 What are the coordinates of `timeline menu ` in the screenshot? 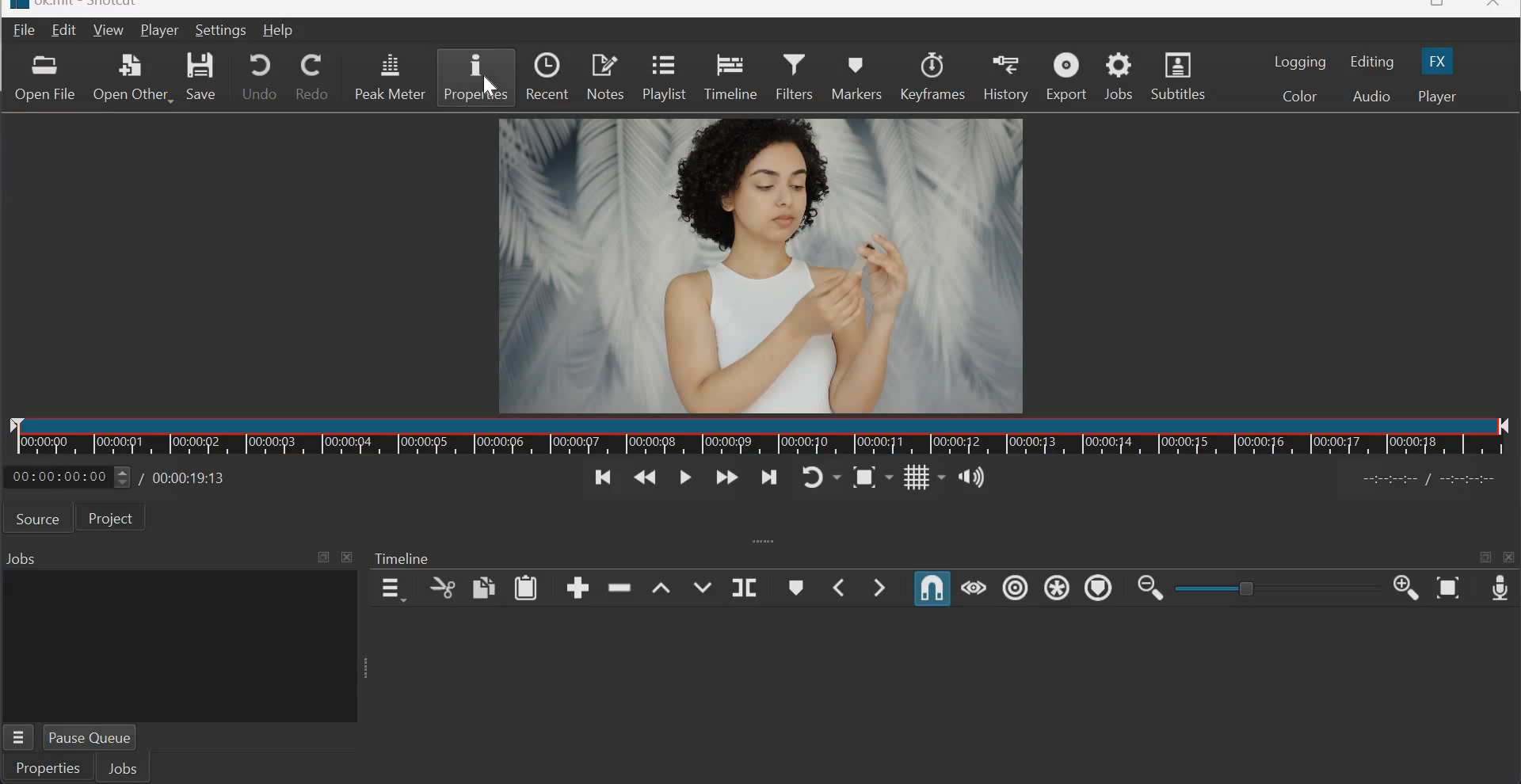 It's located at (391, 588).